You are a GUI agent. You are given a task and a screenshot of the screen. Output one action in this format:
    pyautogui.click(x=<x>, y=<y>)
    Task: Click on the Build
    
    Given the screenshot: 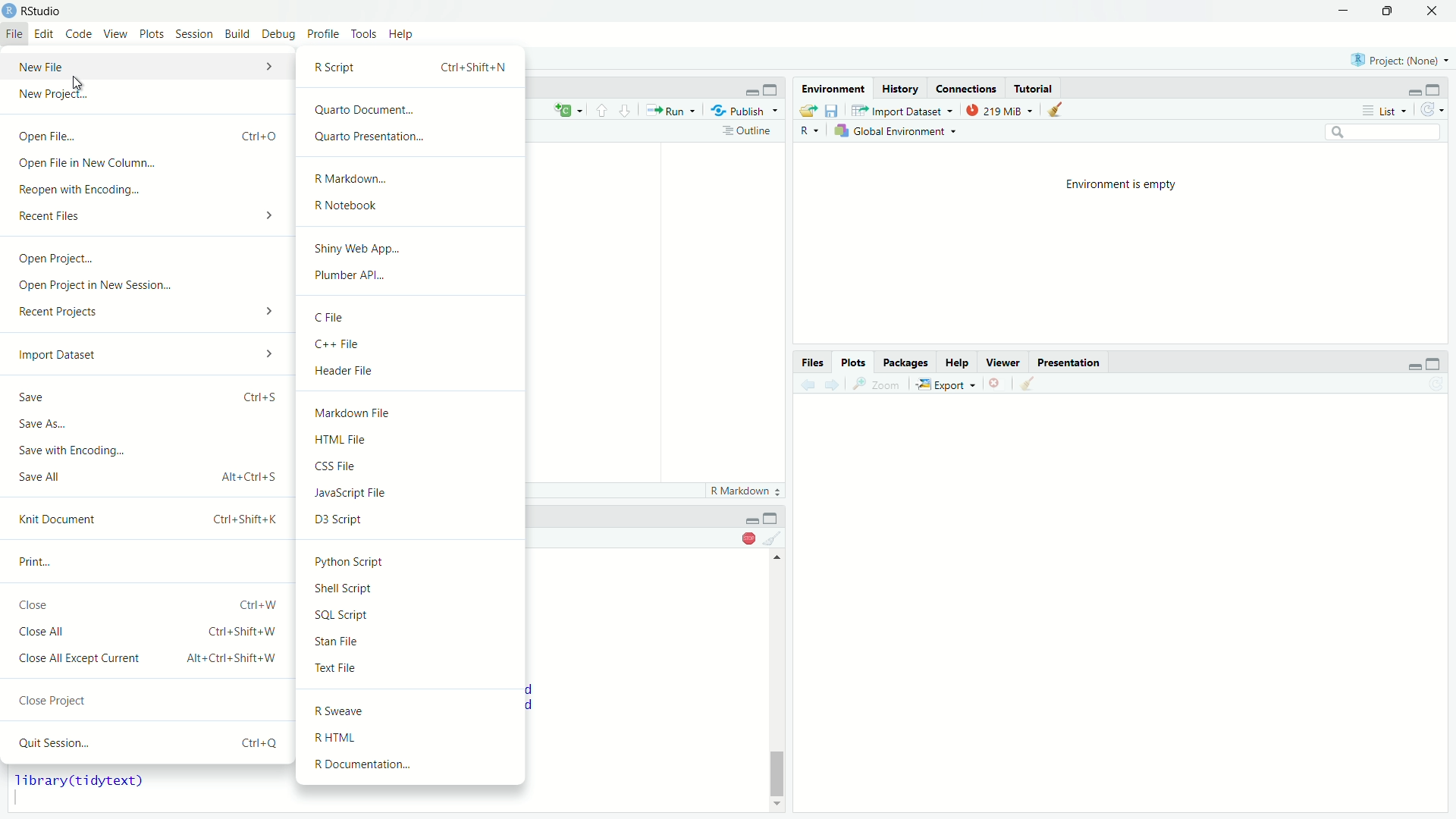 What is the action you would take?
    pyautogui.click(x=236, y=34)
    